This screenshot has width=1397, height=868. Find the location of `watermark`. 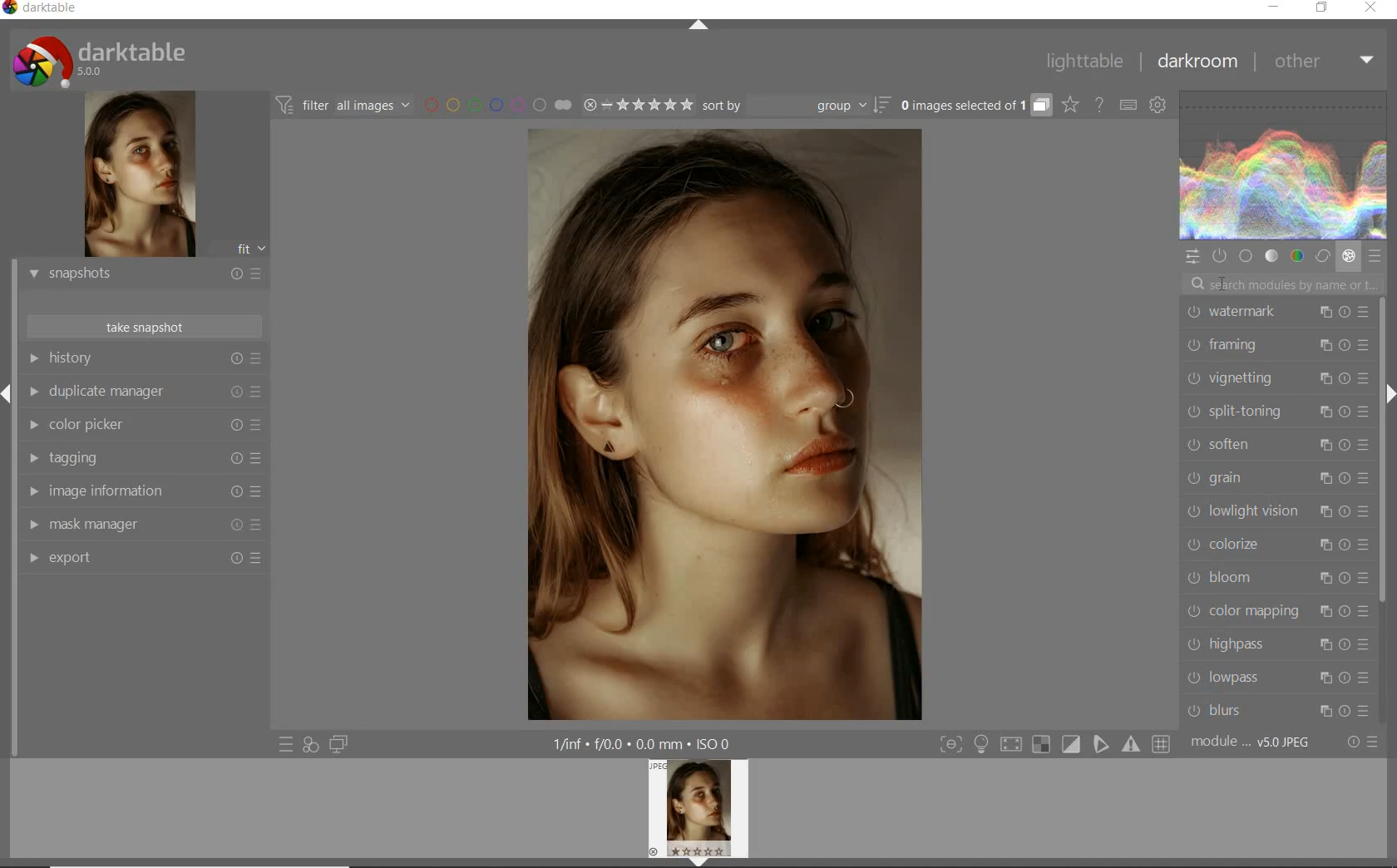

watermark is located at coordinates (1278, 313).